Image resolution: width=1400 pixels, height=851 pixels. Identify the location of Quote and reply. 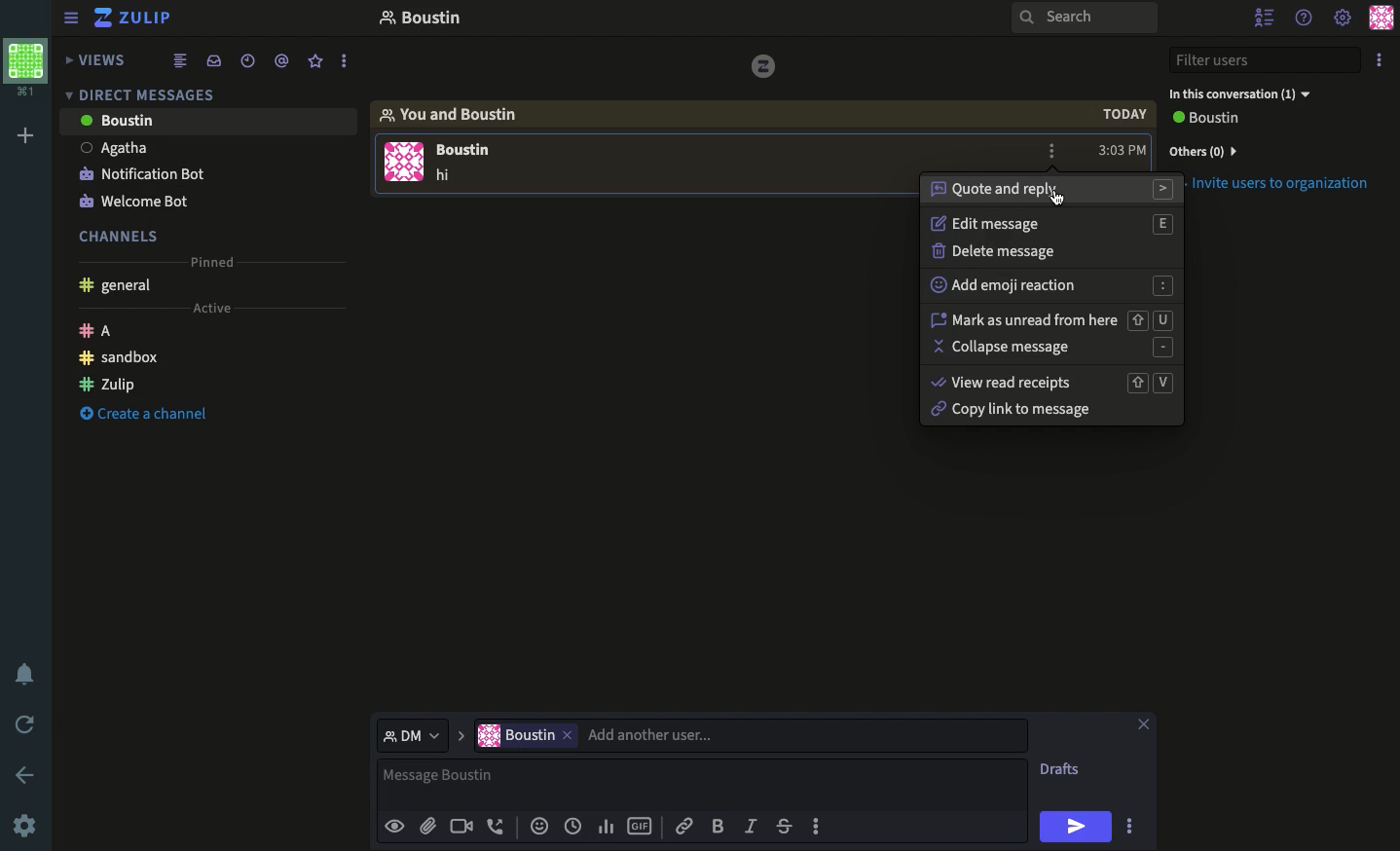
(1046, 186).